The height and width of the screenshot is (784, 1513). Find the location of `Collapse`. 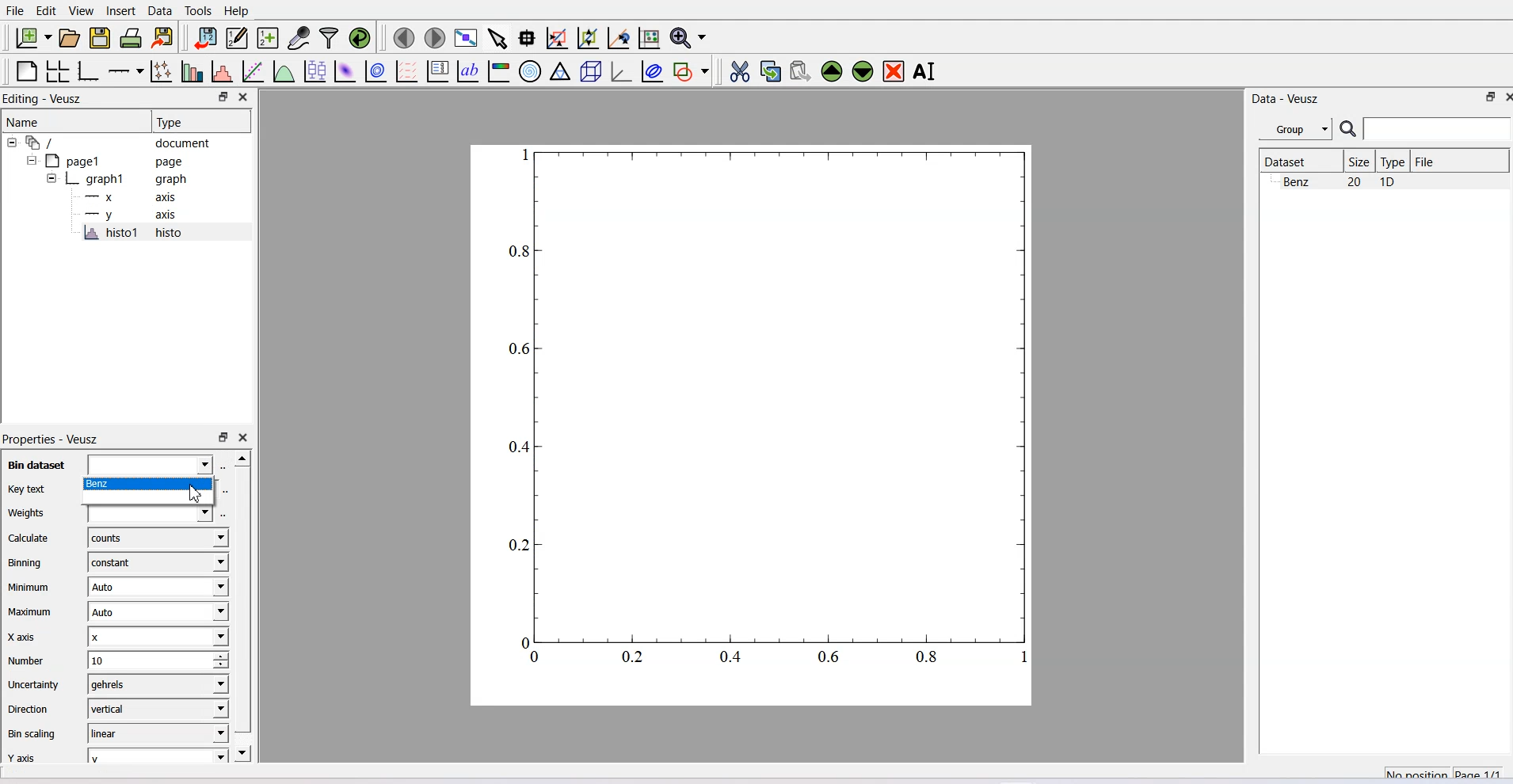

Collapse is located at coordinates (13, 143).